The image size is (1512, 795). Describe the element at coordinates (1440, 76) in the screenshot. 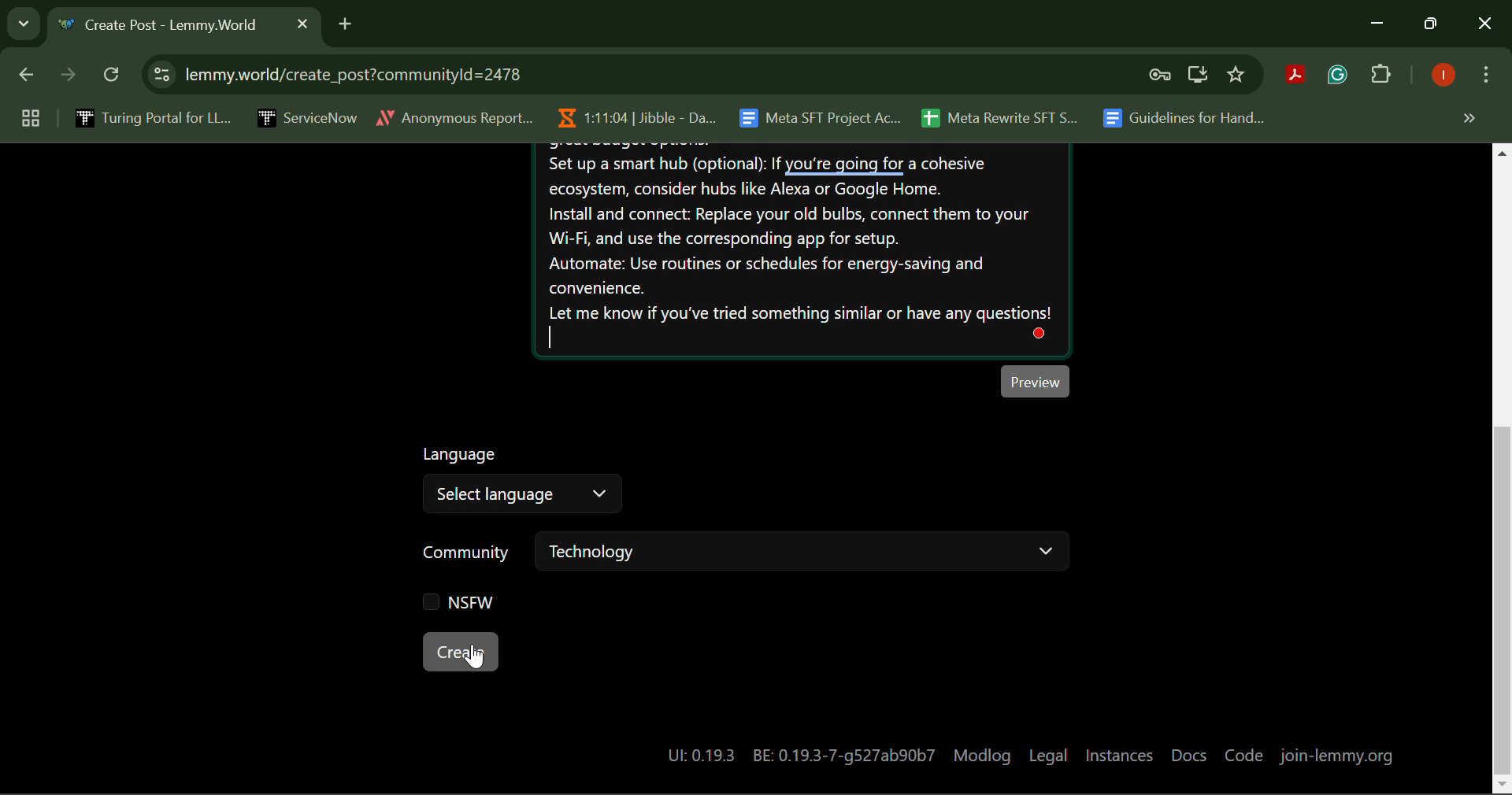

I see `Logged In User` at that location.